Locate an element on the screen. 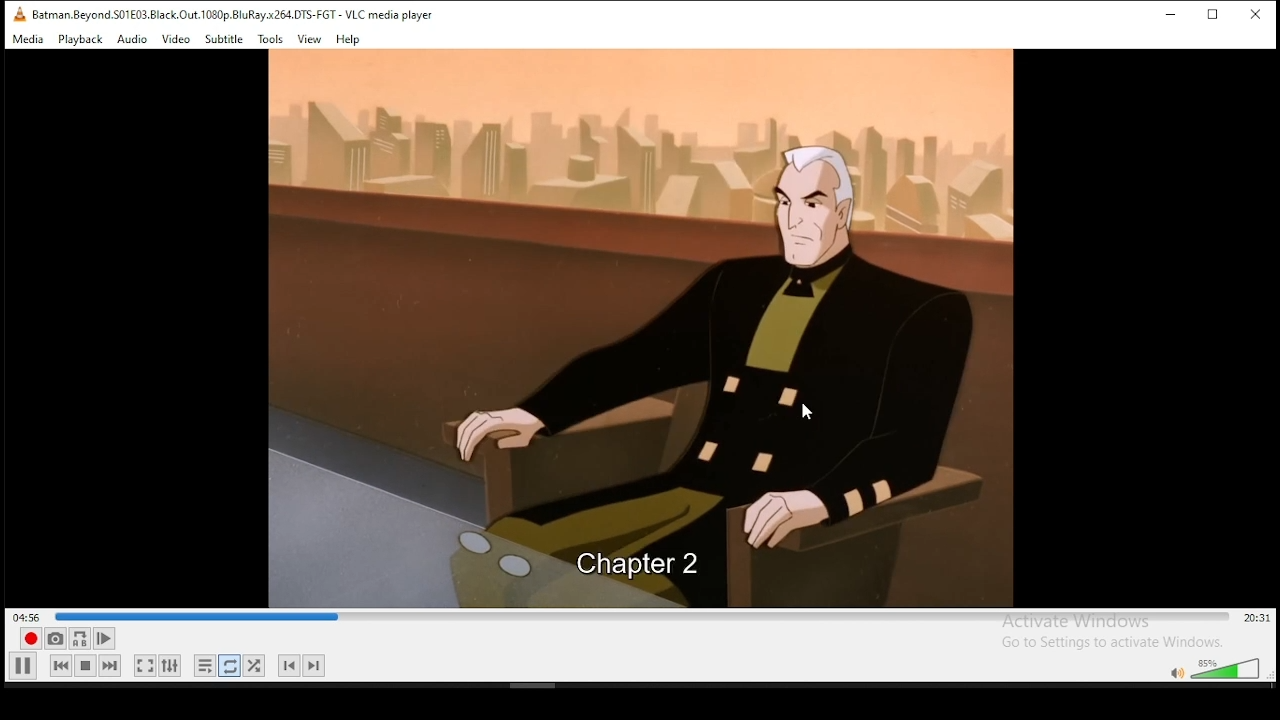  20:31 is located at coordinates (1255, 619).